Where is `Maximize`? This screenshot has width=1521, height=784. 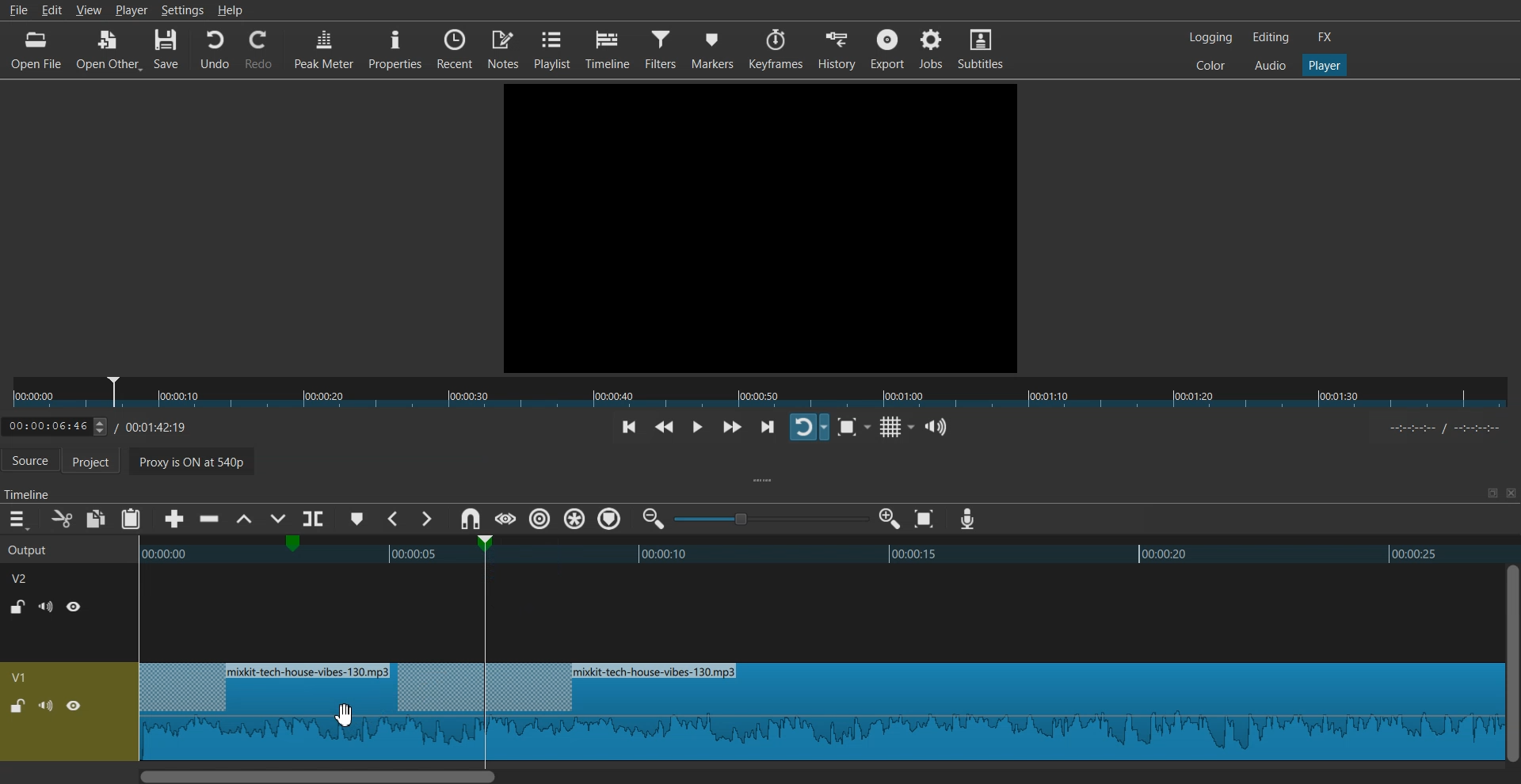 Maximize is located at coordinates (1492, 493).